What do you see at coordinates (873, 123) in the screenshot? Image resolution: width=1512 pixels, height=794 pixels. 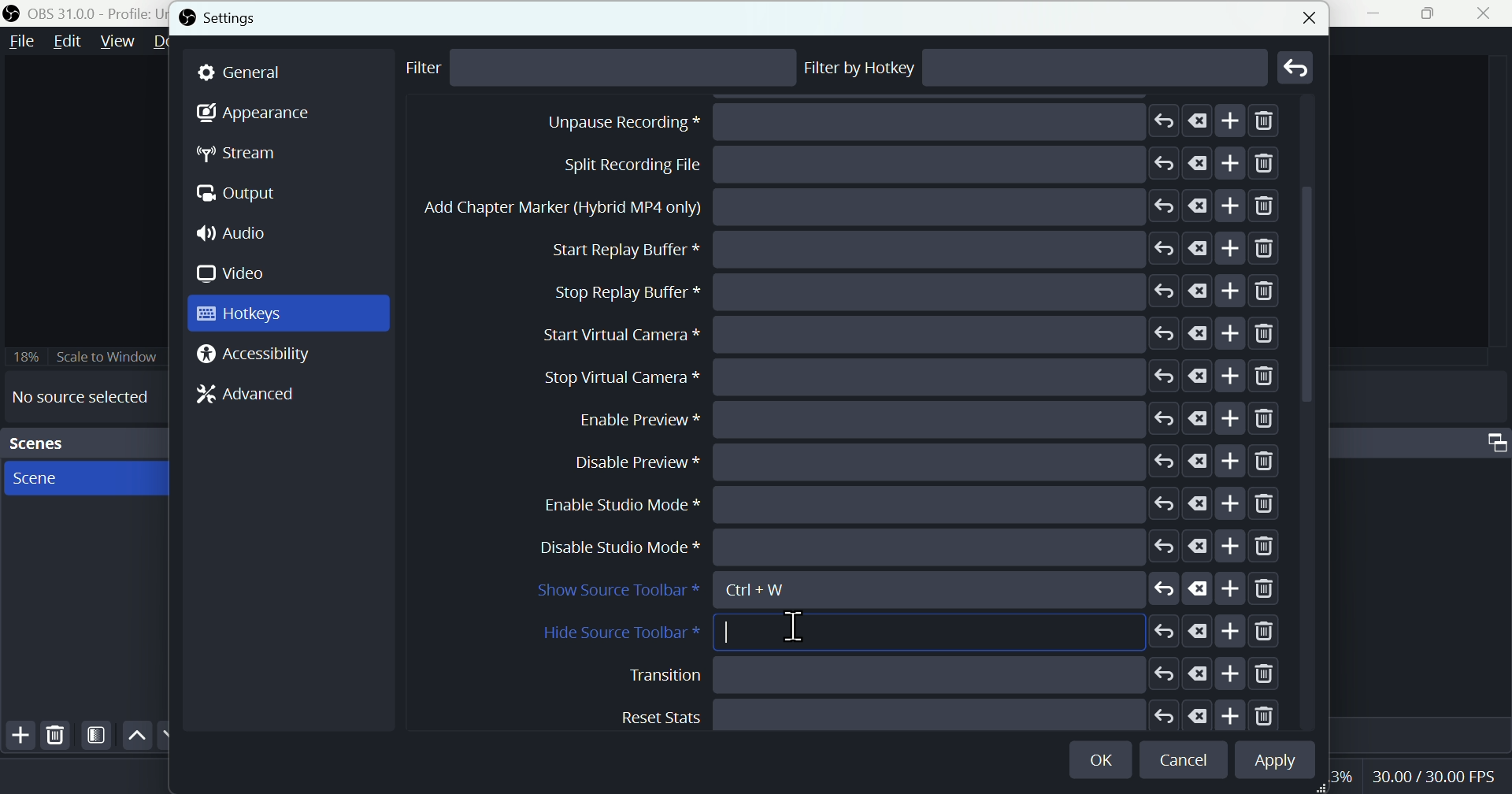 I see `Stop streaming` at bounding box center [873, 123].